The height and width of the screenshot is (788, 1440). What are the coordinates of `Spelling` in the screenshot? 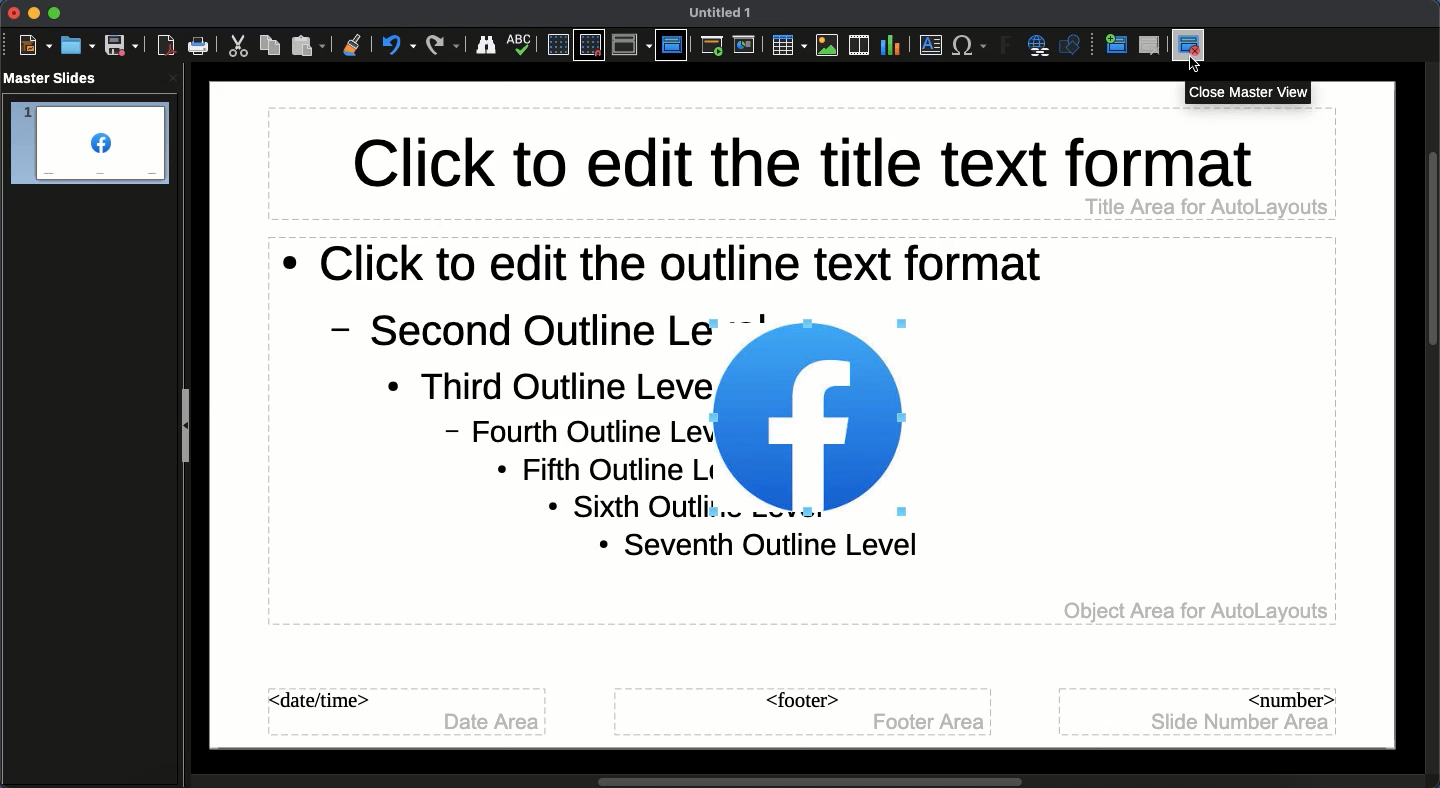 It's located at (522, 43).